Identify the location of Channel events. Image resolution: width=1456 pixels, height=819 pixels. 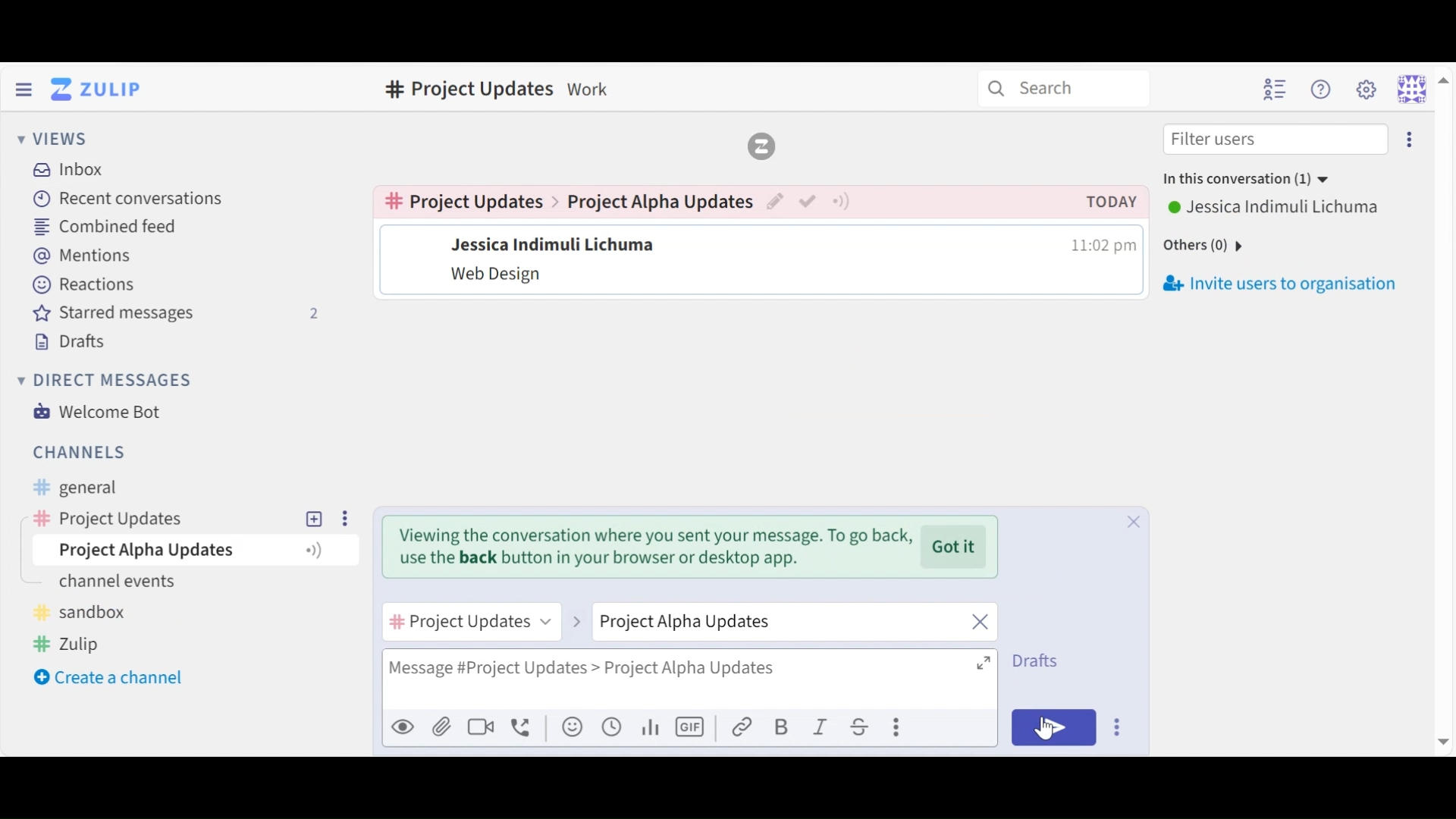
(119, 579).